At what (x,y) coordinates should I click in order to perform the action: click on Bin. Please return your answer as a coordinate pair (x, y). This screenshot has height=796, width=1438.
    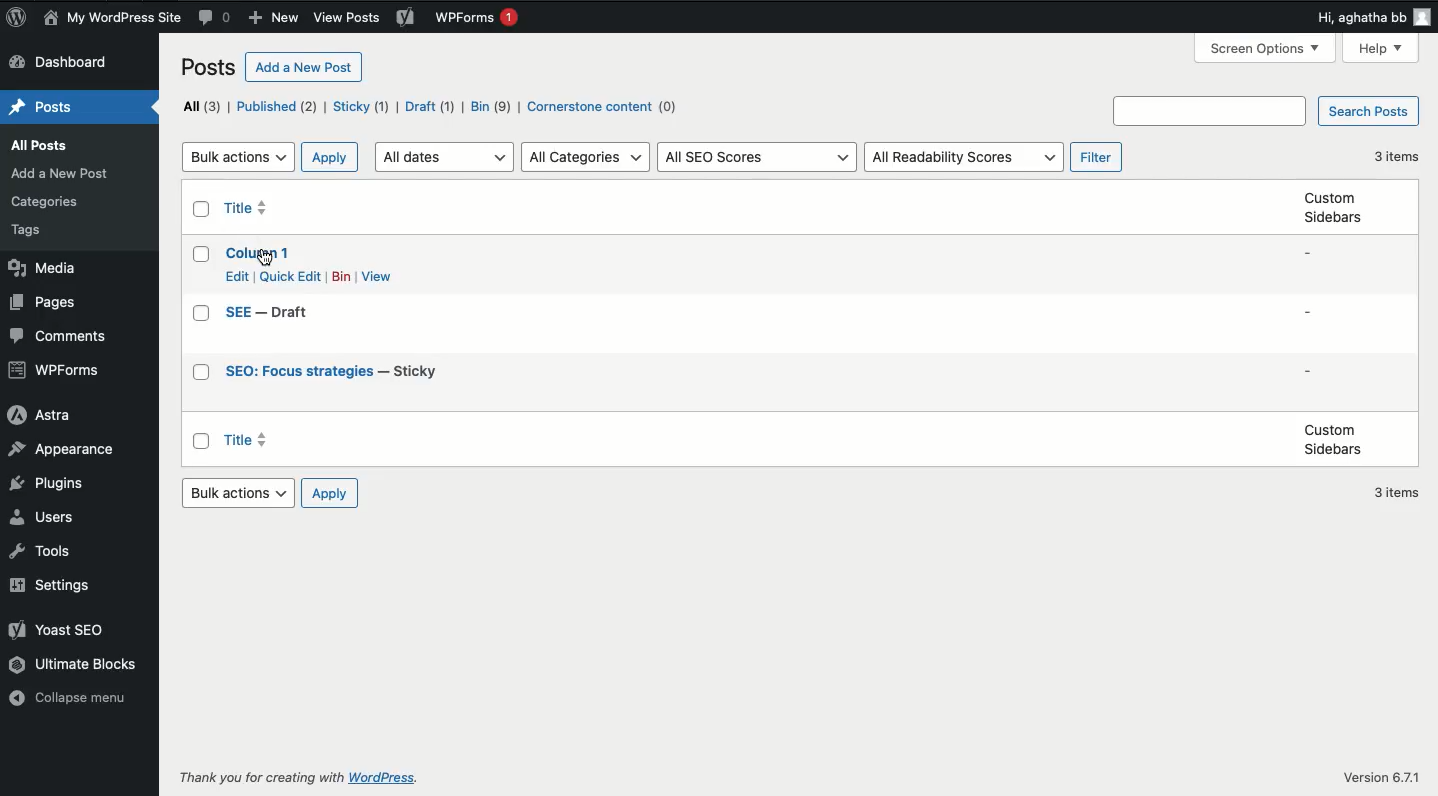
    Looking at the image, I should click on (492, 108).